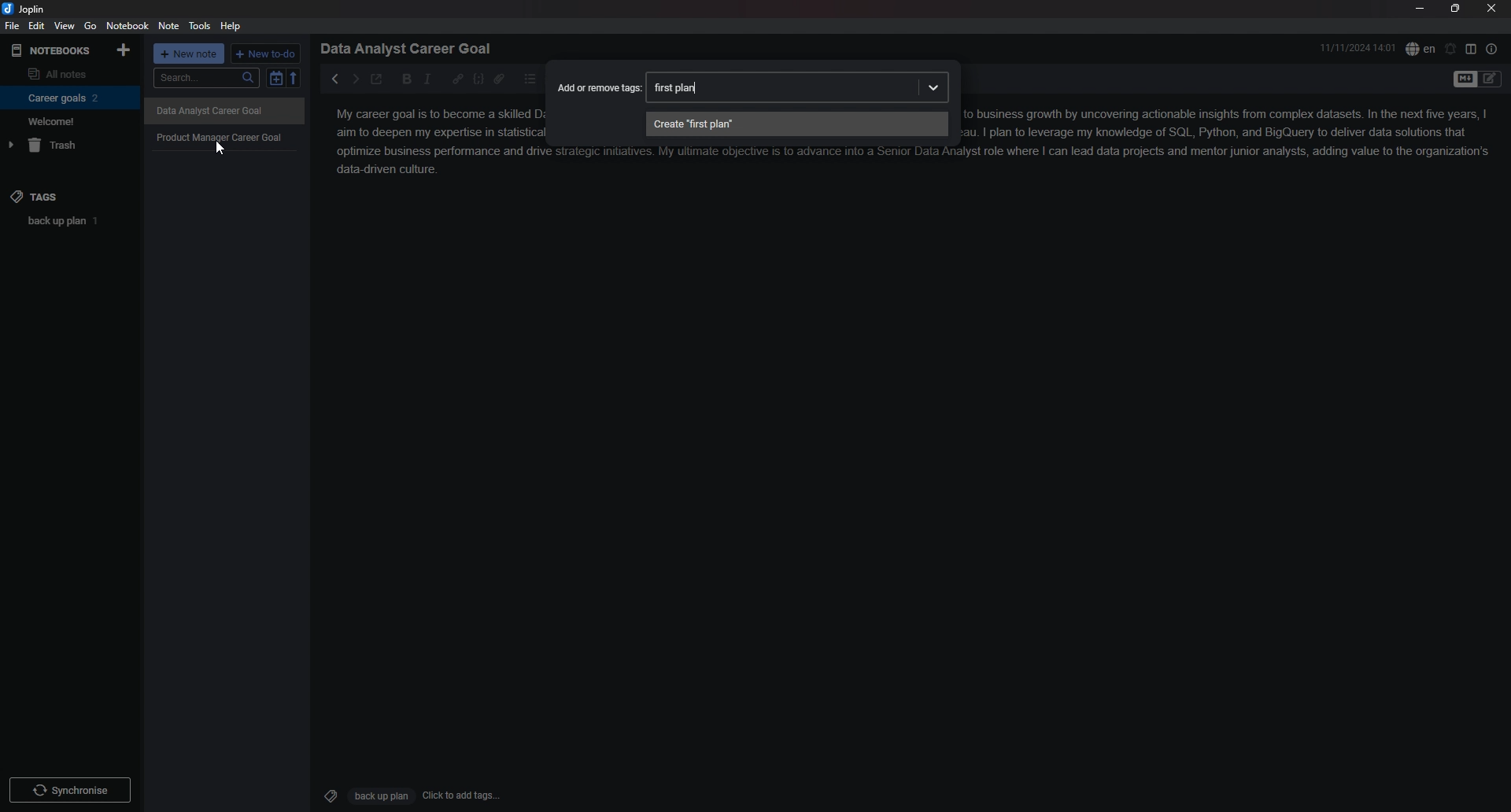 The width and height of the screenshot is (1511, 812). Describe the element at coordinates (355, 79) in the screenshot. I see `next` at that location.